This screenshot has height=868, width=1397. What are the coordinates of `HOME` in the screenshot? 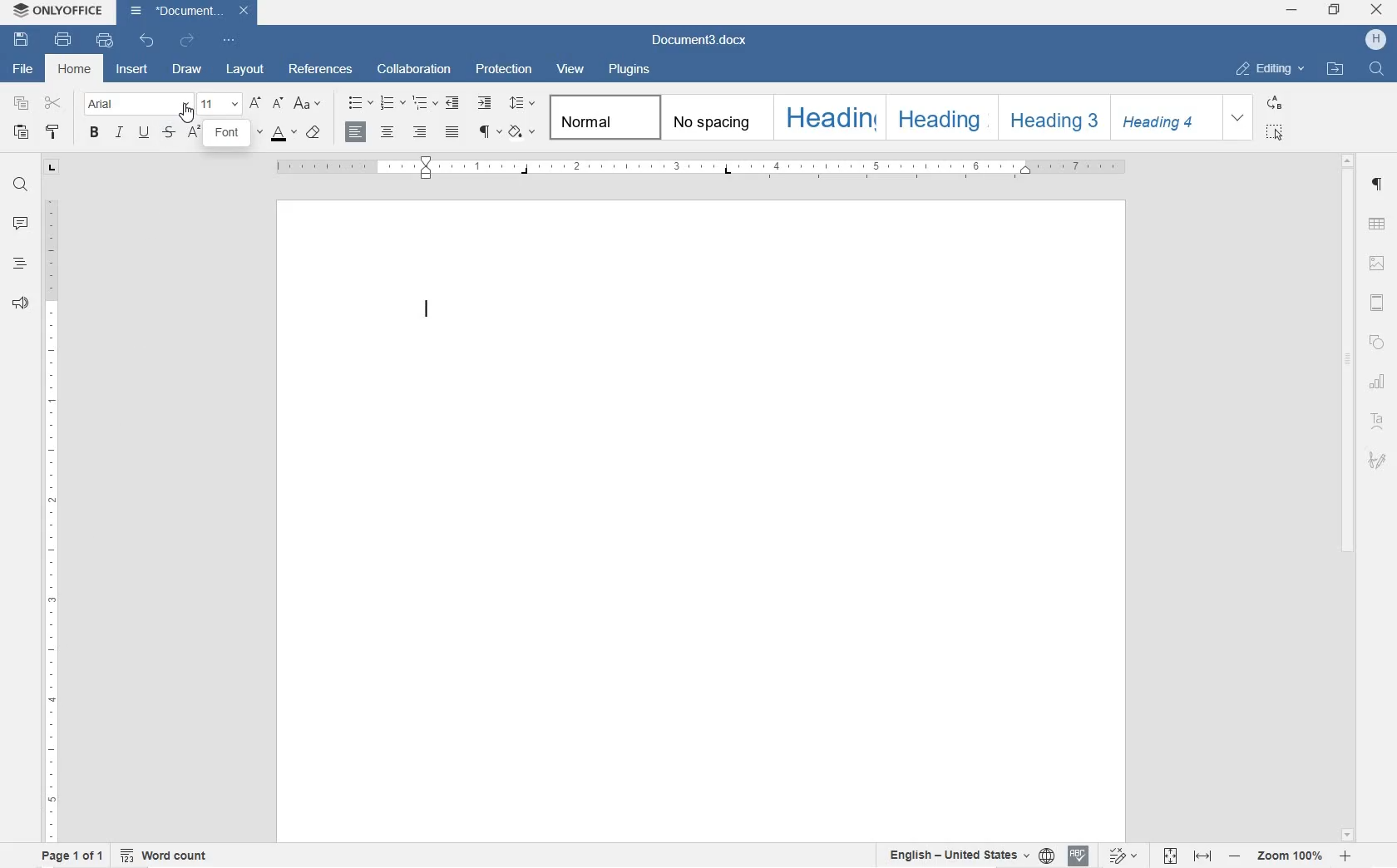 It's located at (74, 69).